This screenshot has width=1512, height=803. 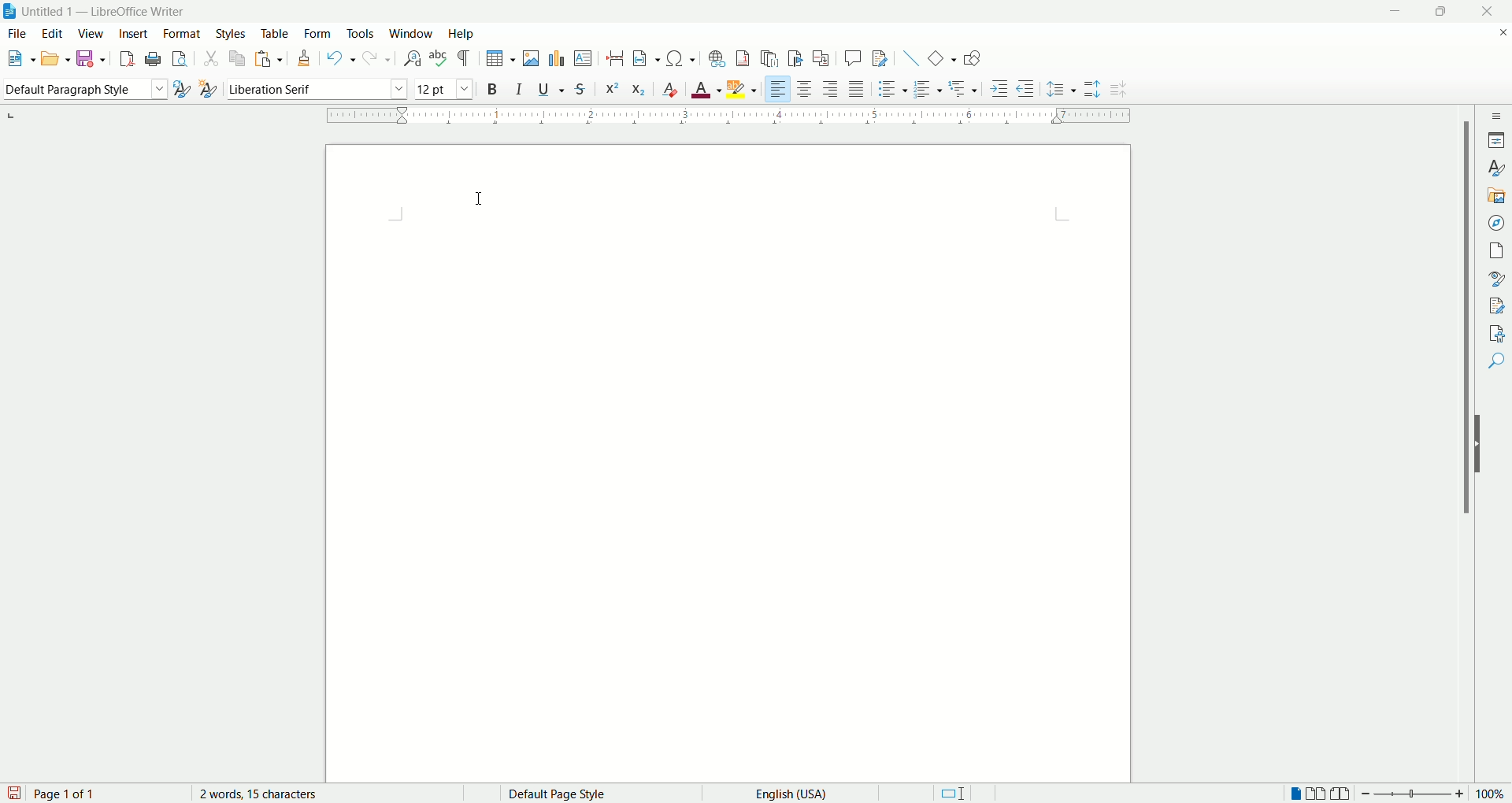 I want to click on show draw functions, so click(x=972, y=58).